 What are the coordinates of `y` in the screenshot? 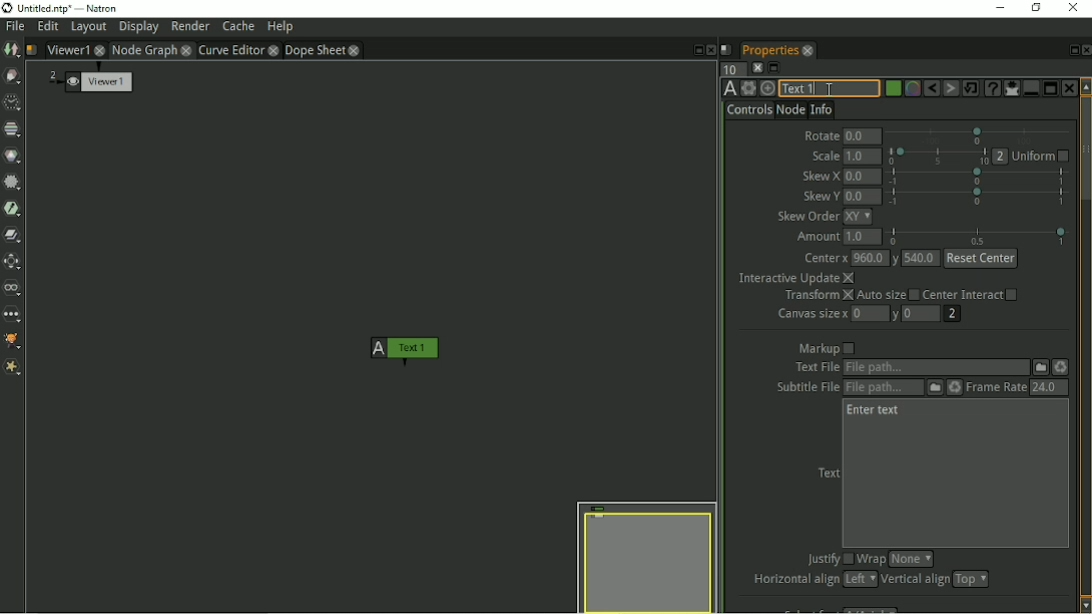 It's located at (893, 315).